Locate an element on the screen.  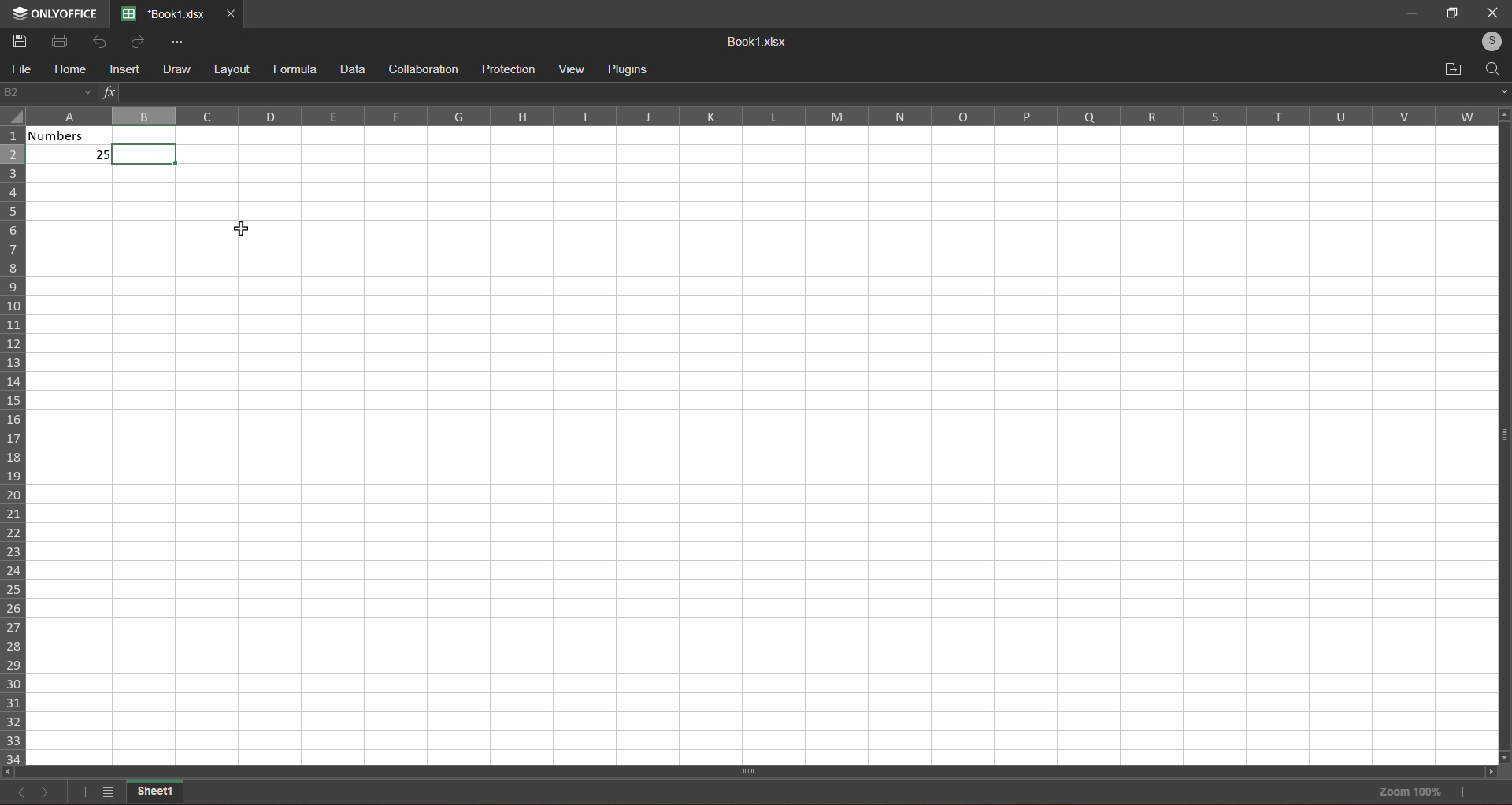
save is located at coordinates (18, 40).